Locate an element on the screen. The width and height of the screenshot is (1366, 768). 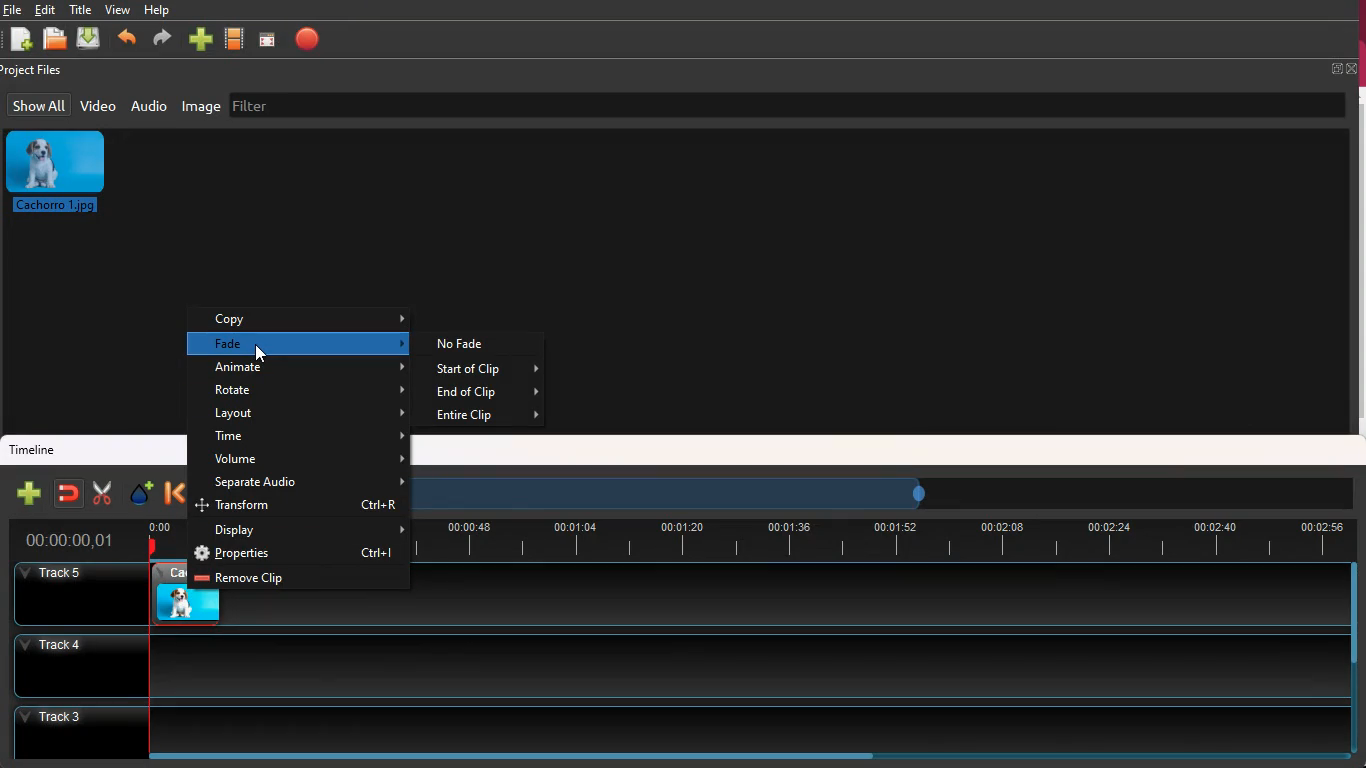
track5 is located at coordinates (72, 592).